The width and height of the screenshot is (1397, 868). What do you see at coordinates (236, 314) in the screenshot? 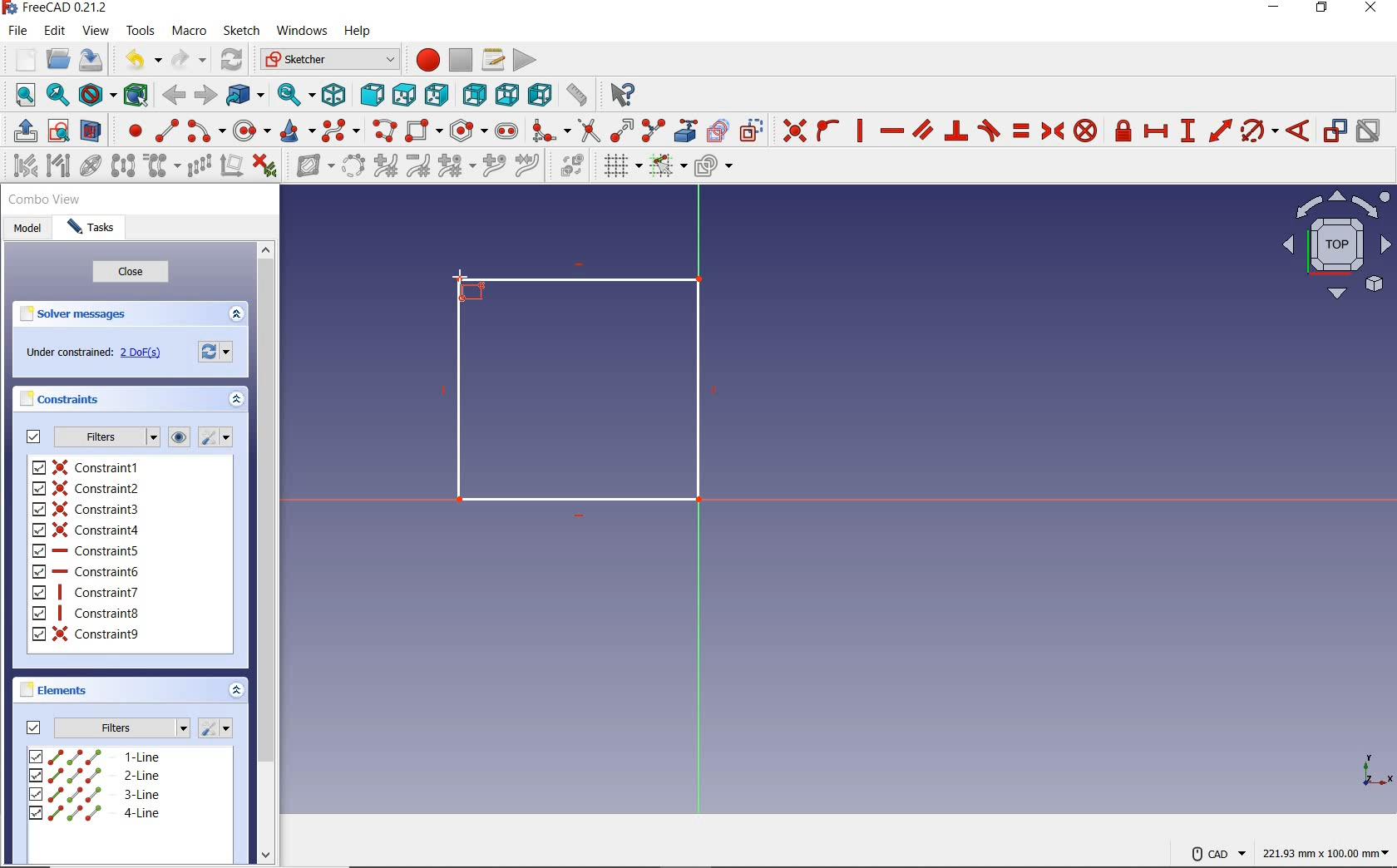
I see `expand` at bounding box center [236, 314].